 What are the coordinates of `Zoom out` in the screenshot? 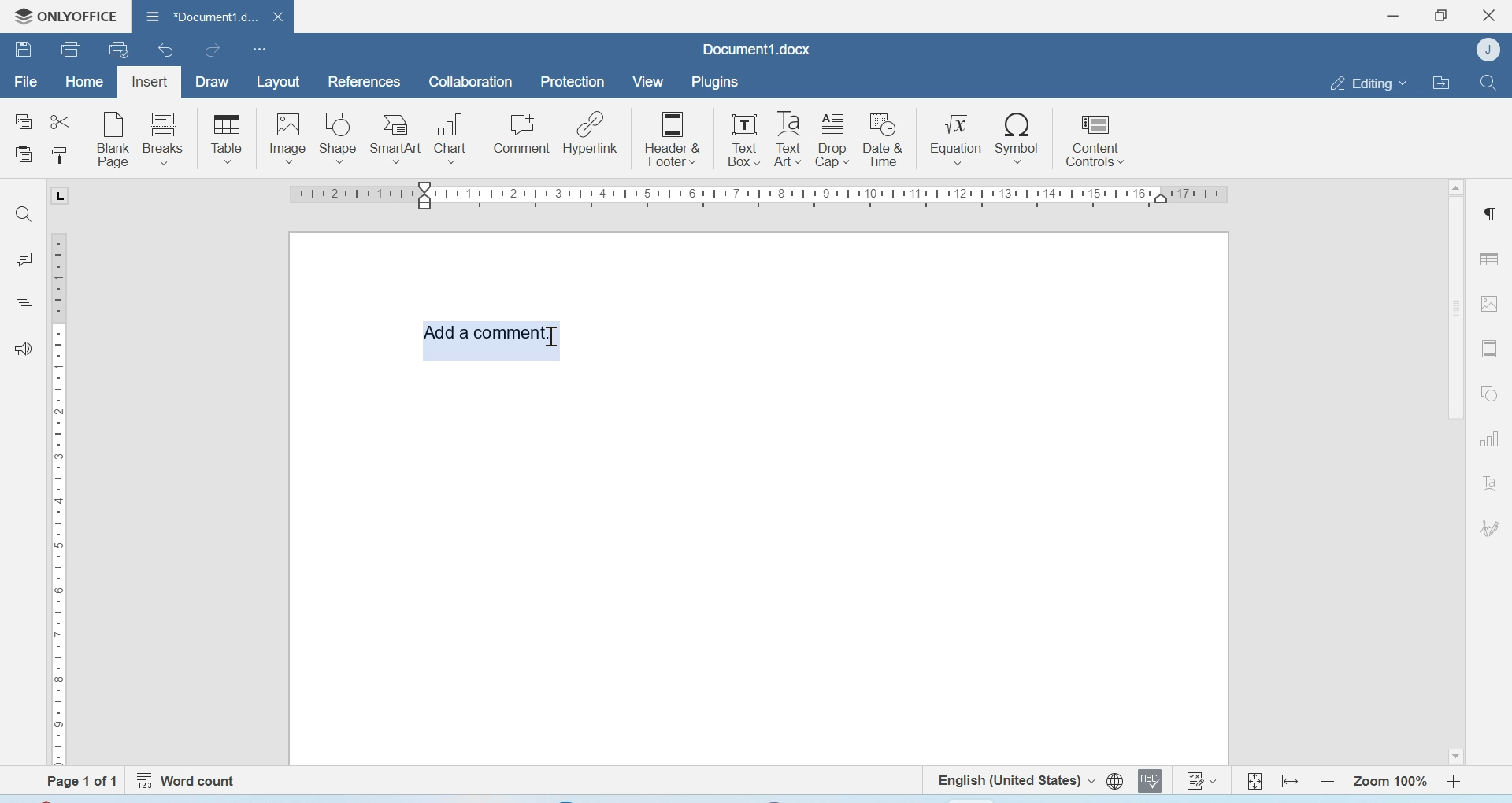 It's located at (1328, 781).